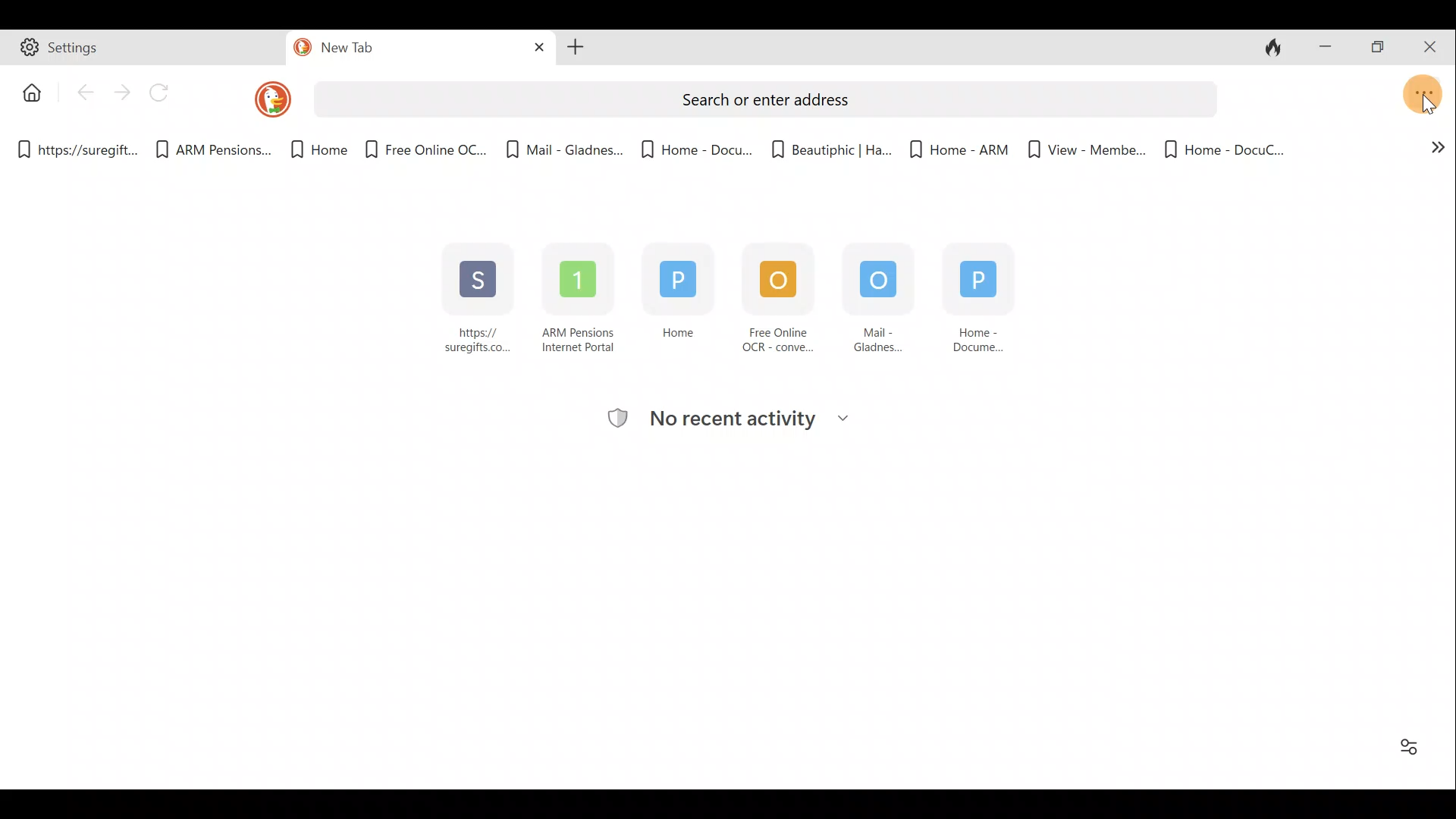 This screenshot has height=819, width=1456. Describe the element at coordinates (1088, 150) in the screenshot. I see `Bookmark 9` at that location.